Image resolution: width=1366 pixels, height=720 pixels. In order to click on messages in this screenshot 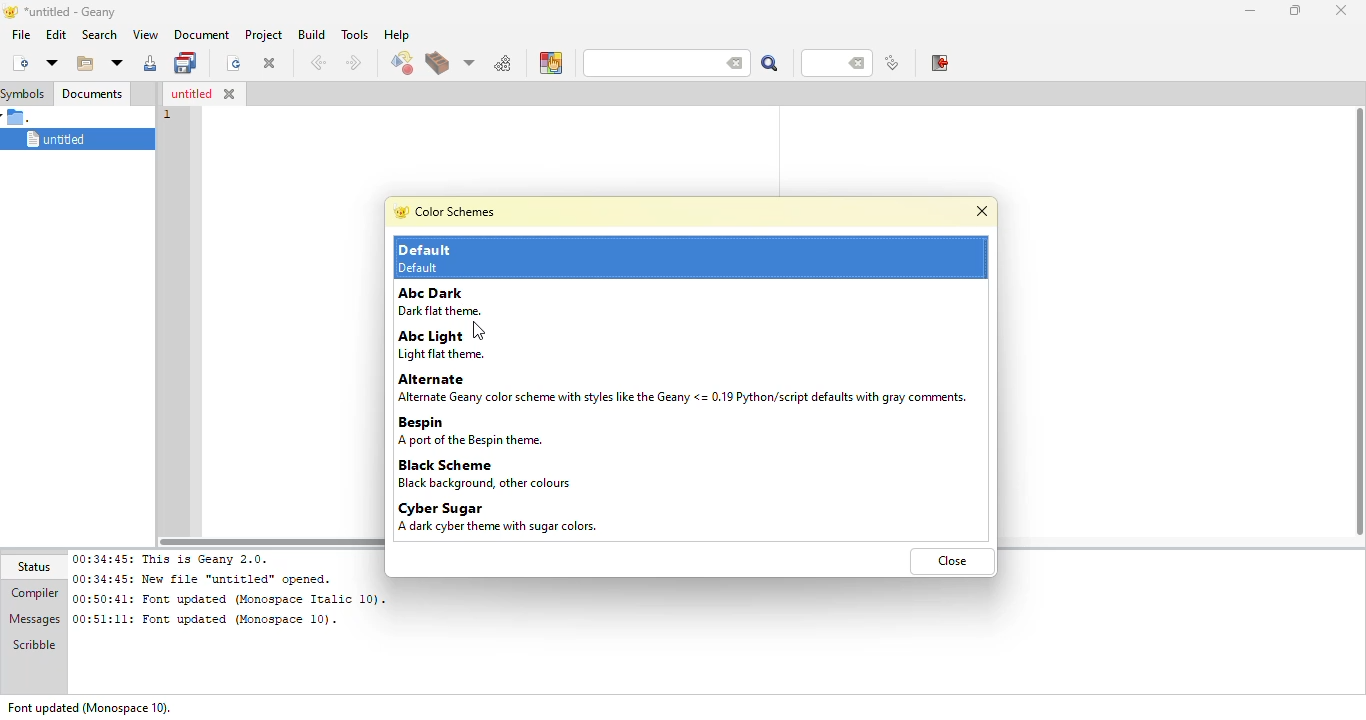, I will do `click(34, 620)`.